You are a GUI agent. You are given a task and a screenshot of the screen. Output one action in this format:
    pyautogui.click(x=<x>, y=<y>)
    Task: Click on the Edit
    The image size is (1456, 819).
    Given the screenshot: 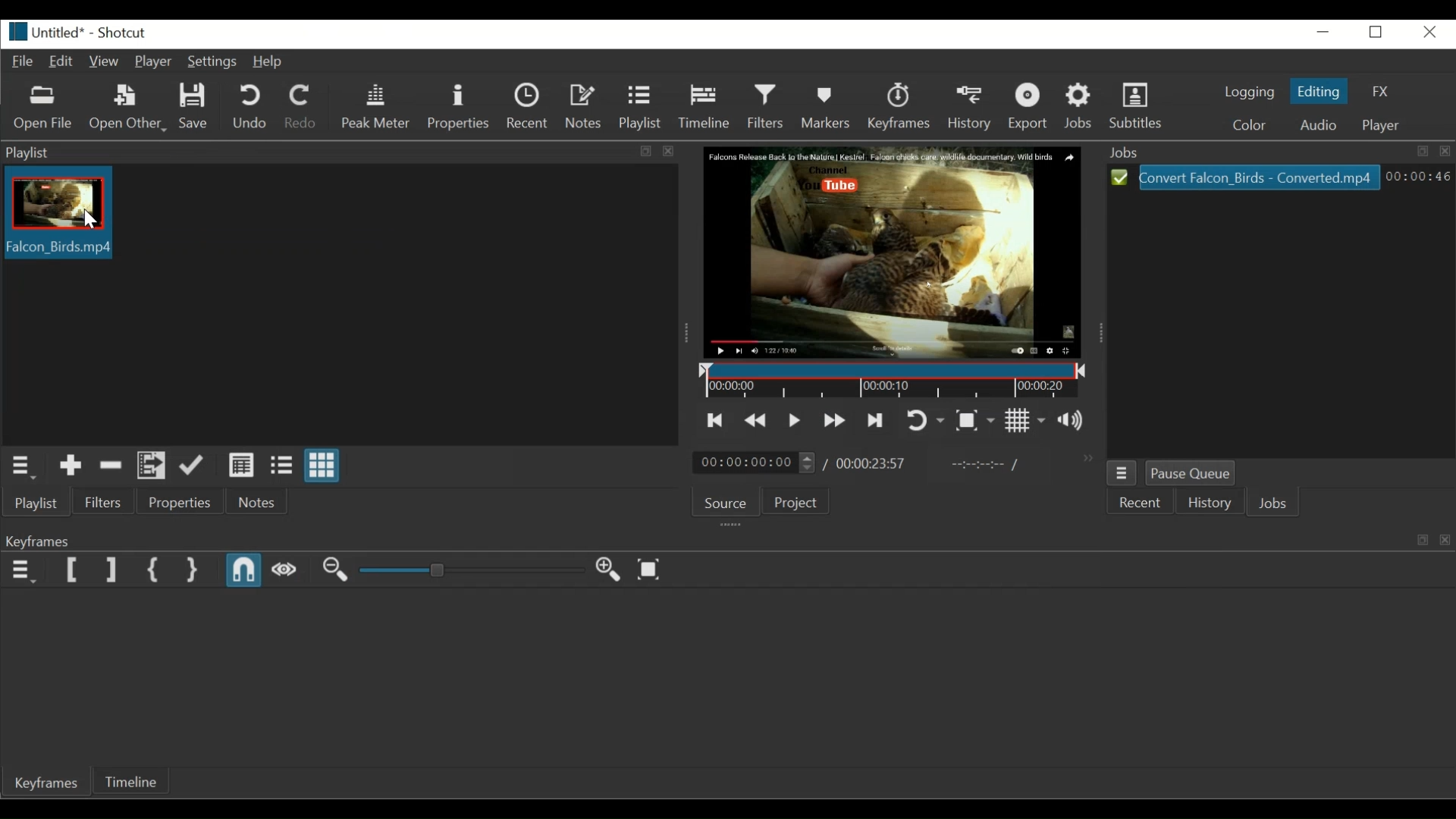 What is the action you would take?
    pyautogui.click(x=62, y=61)
    